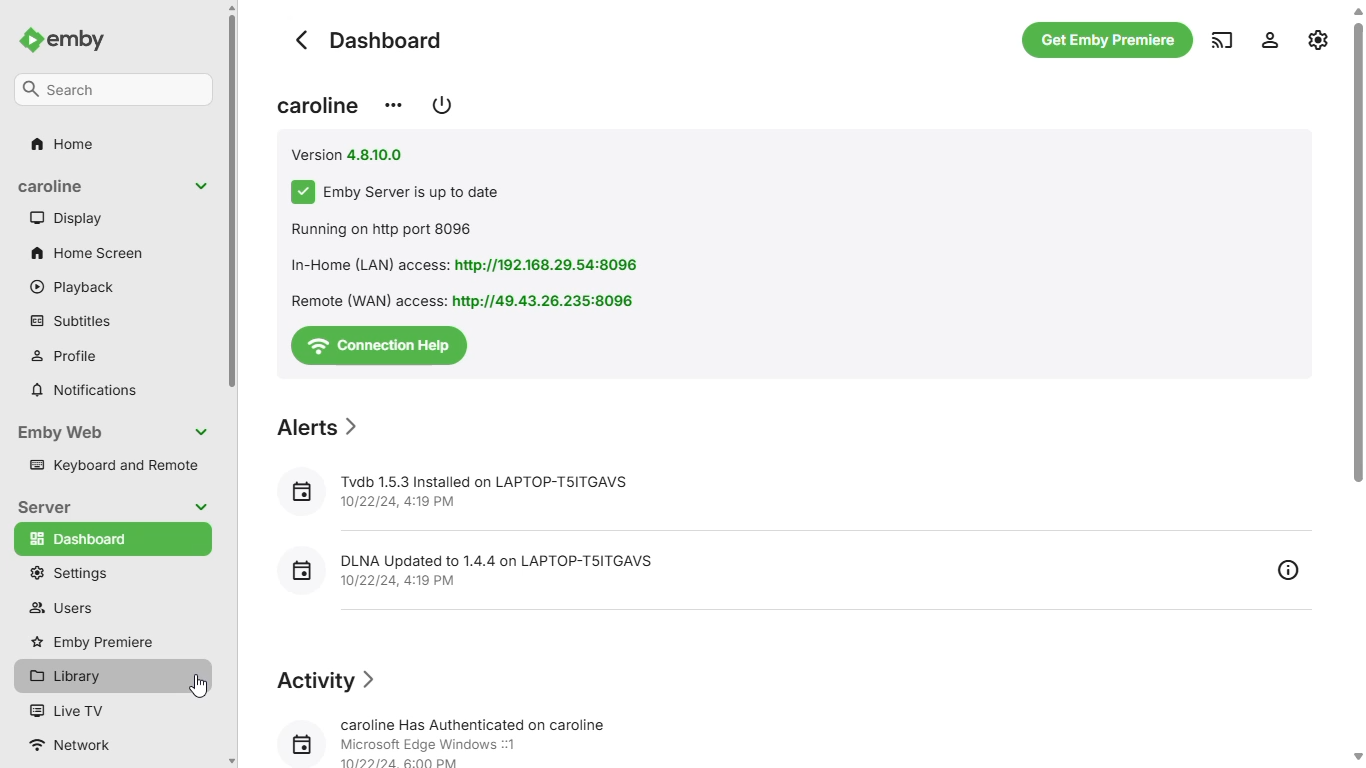 The width and height of the screenshot is (1366, 768). What do you see at coordinates (68, 321) in the screenshot?
I see `subtitles` at bounding box center [68, 321].